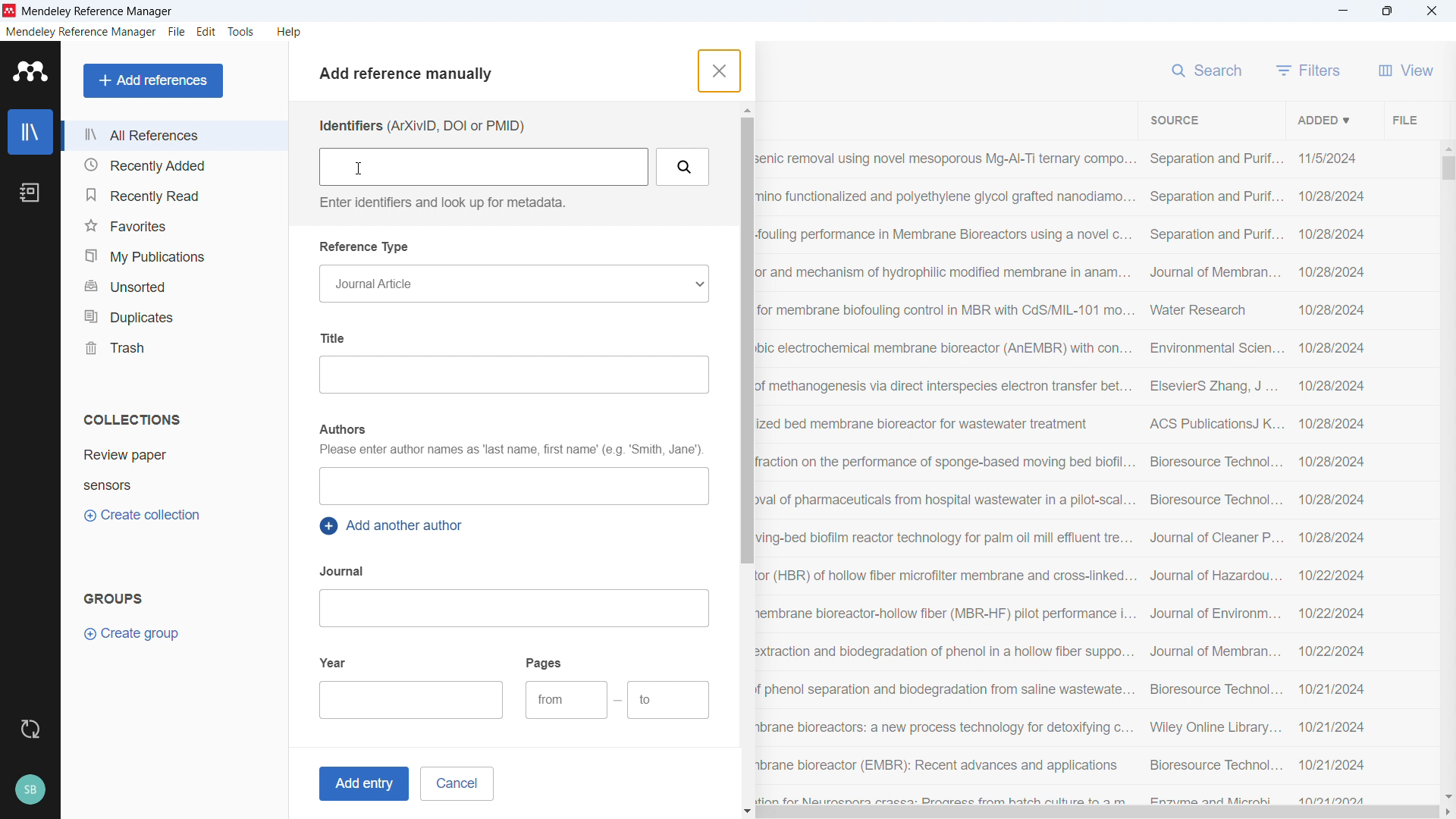 The image size is (1456, 819). Describe the element at coordinates (440, 202) in the screenshot. I see `Enter identifiers and look up for metadata` at that location.